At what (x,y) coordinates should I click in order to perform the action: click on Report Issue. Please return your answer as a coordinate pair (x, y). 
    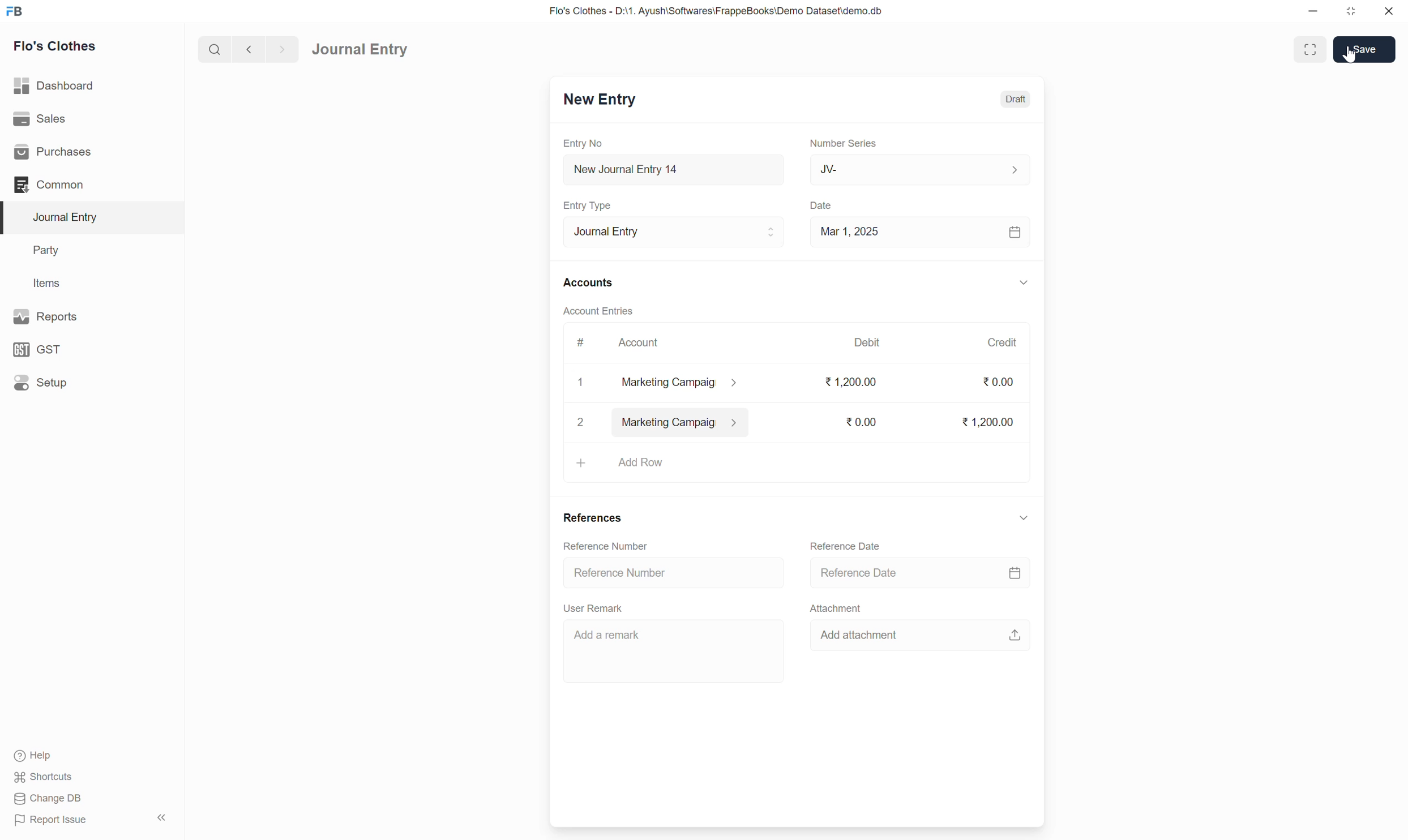
    Looking at the image, I should click on (55, 821).